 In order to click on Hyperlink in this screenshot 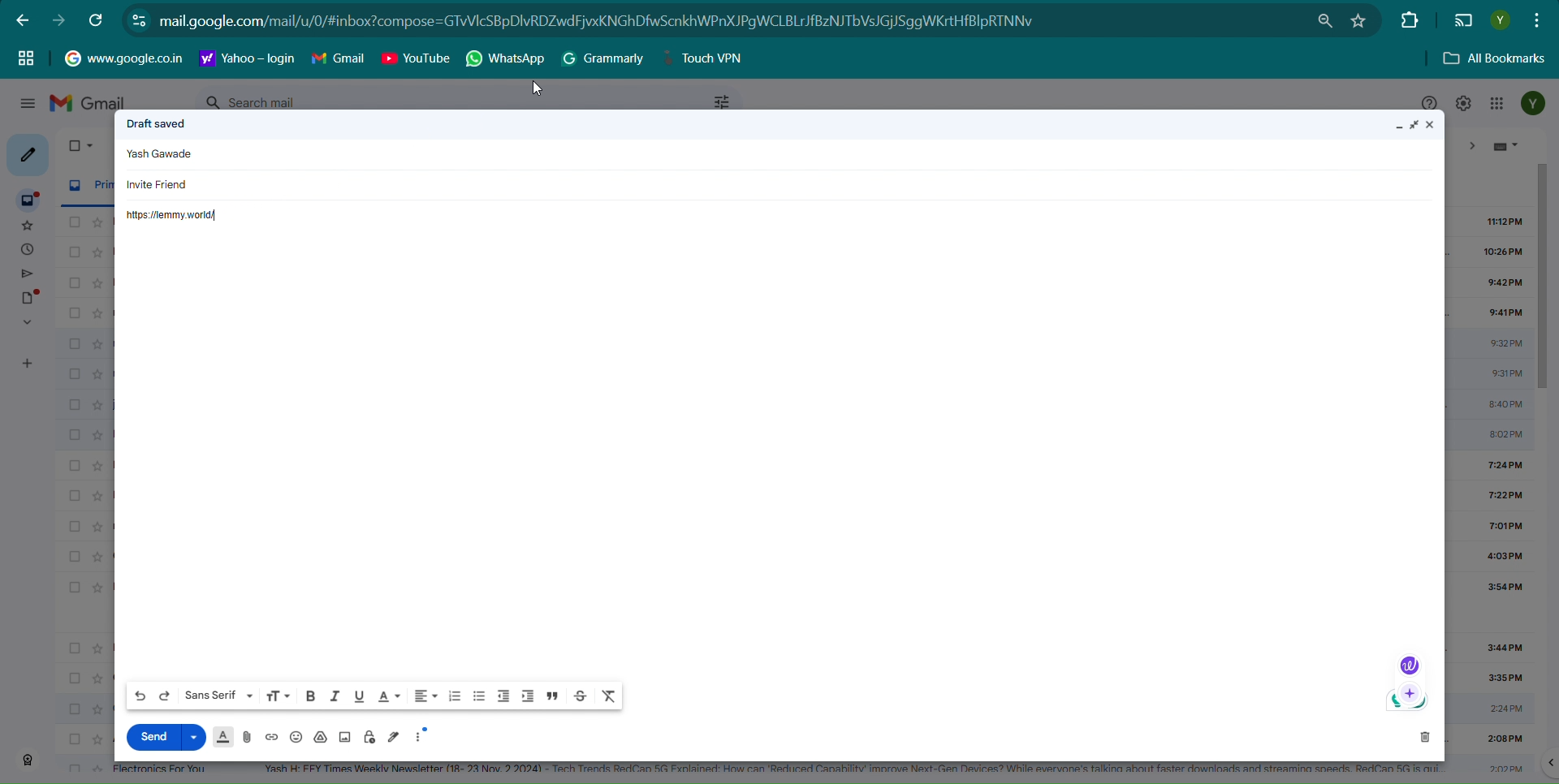, I will do `click(248, 58)`.